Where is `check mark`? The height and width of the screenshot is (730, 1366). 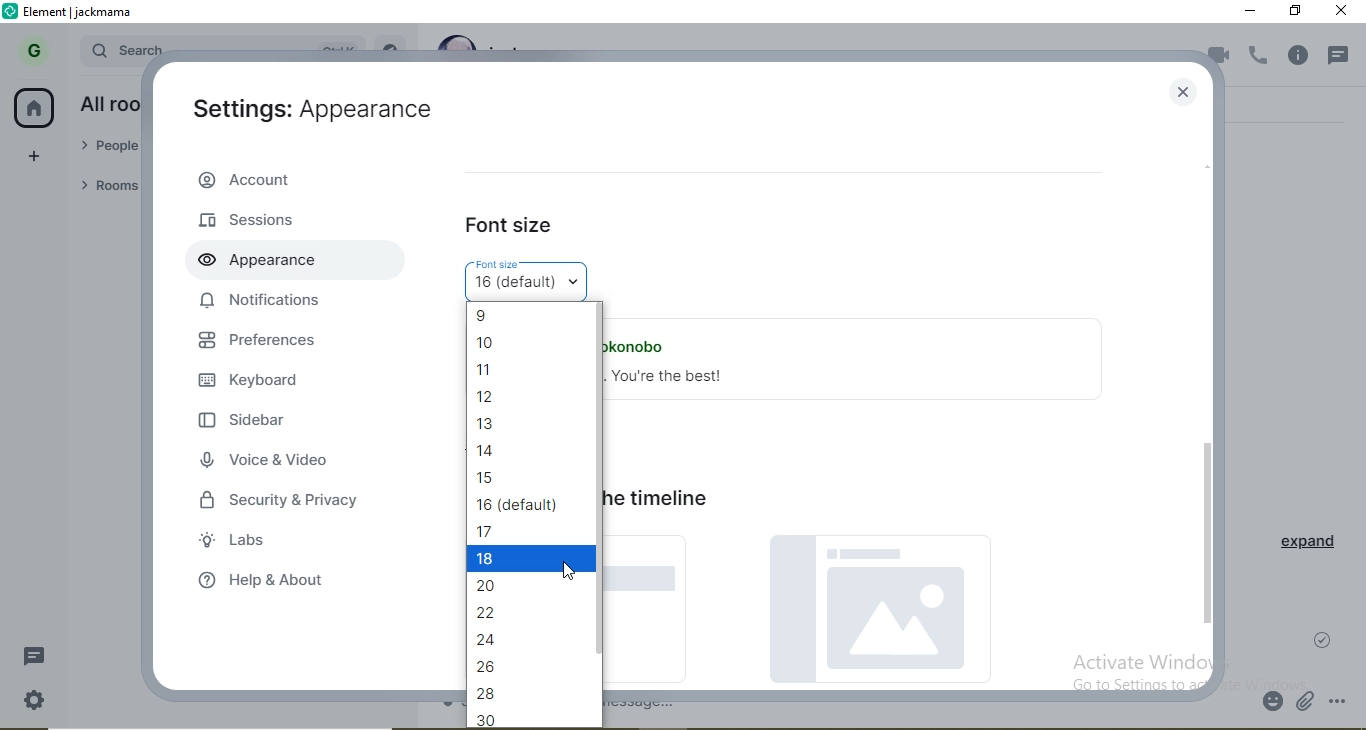 check mark is located at coordinates (1327, 637).